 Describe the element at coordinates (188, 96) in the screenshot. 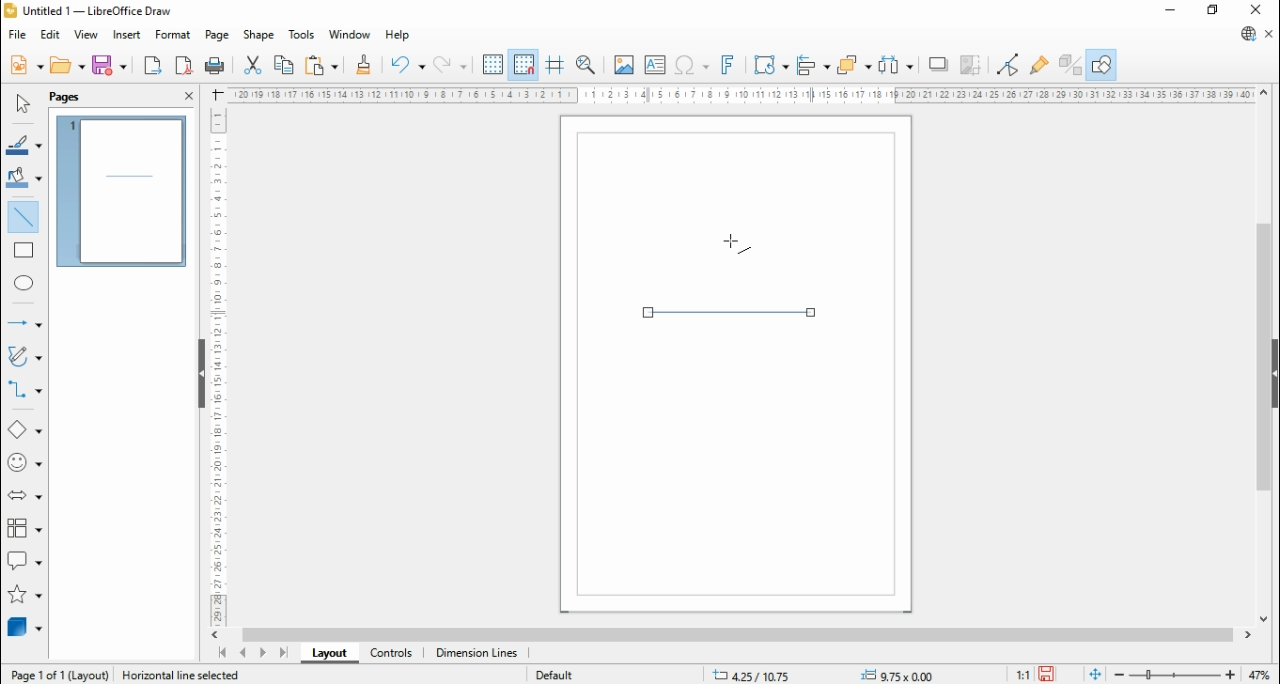

I see `close pane` at that location.